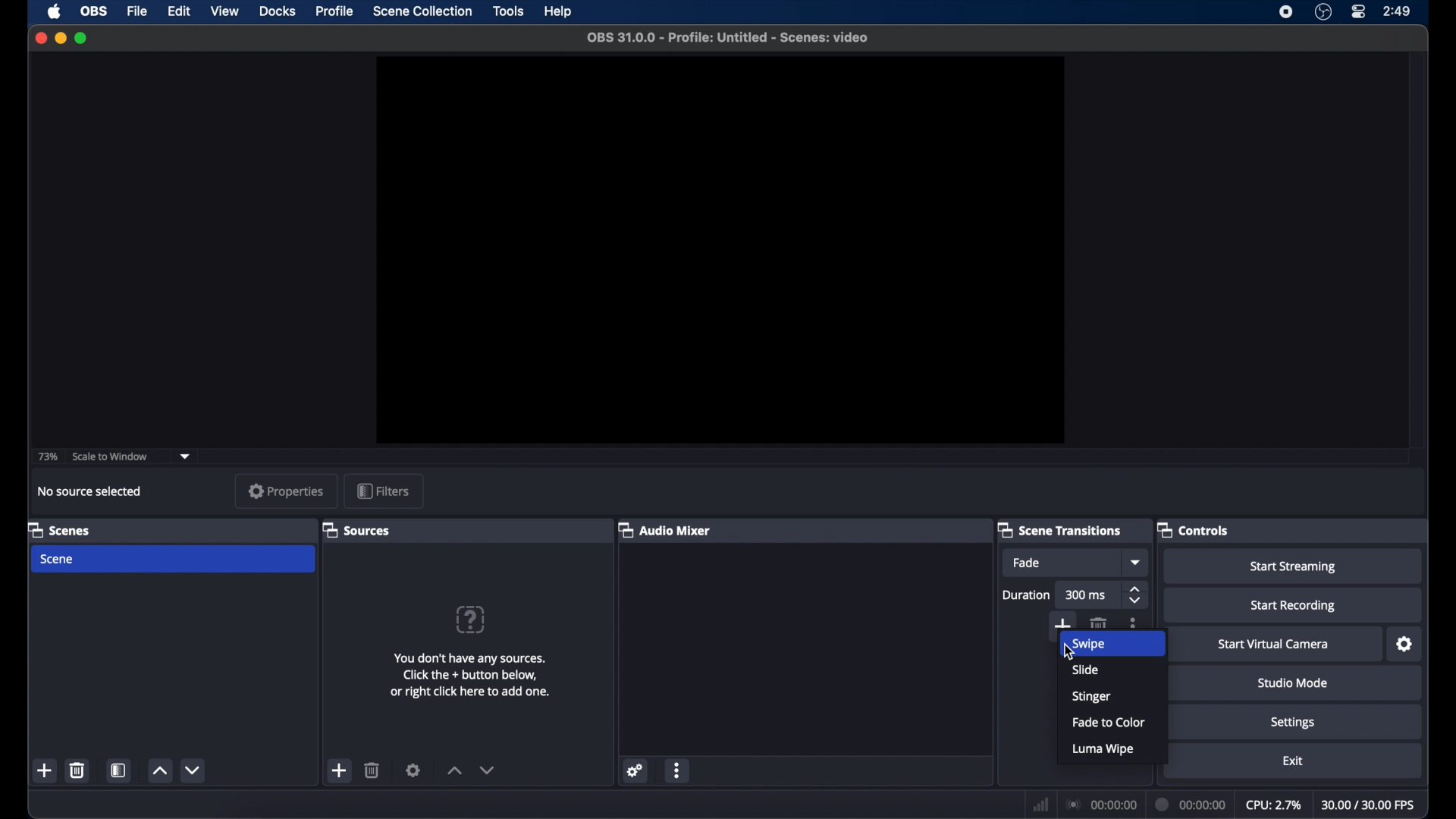 This screenshot has width=1456, height=819. What do you see at coordinates (1086, 595) in the screenshot?
I see `300 ms` at bounding box center [1086, 595].